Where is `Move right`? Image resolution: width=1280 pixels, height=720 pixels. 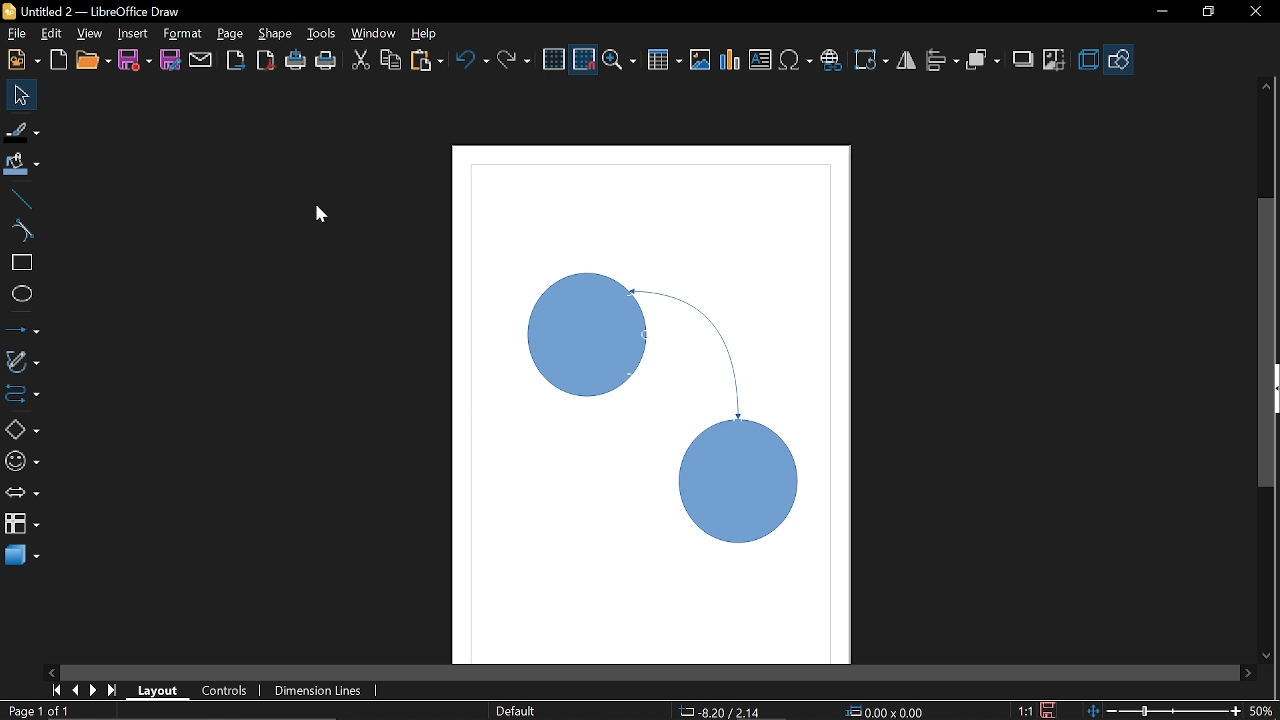
Move right is located at coordinates (1251, 674).